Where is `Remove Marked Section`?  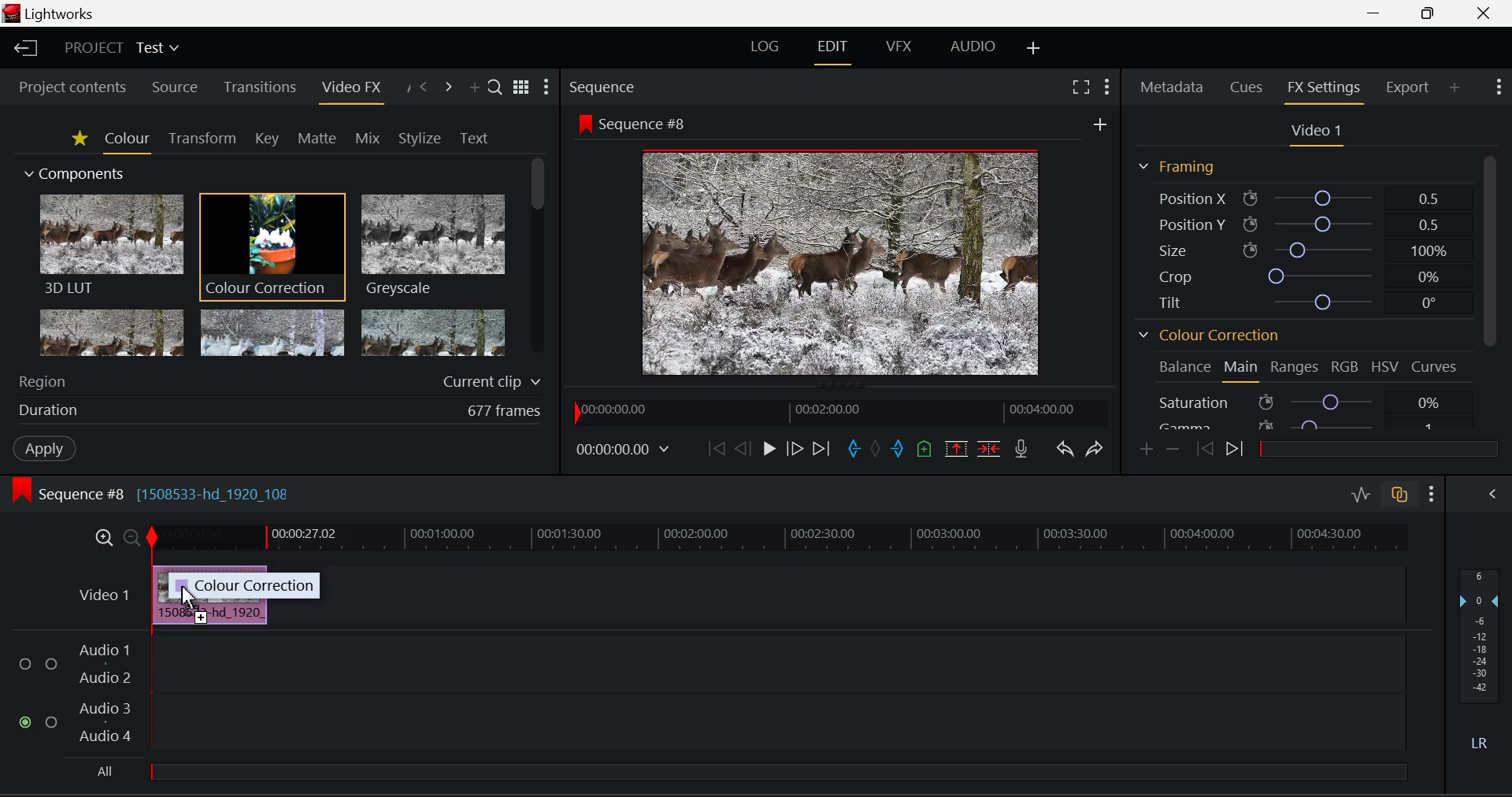
Remove Marked Section is located at coordinates (955, 449).